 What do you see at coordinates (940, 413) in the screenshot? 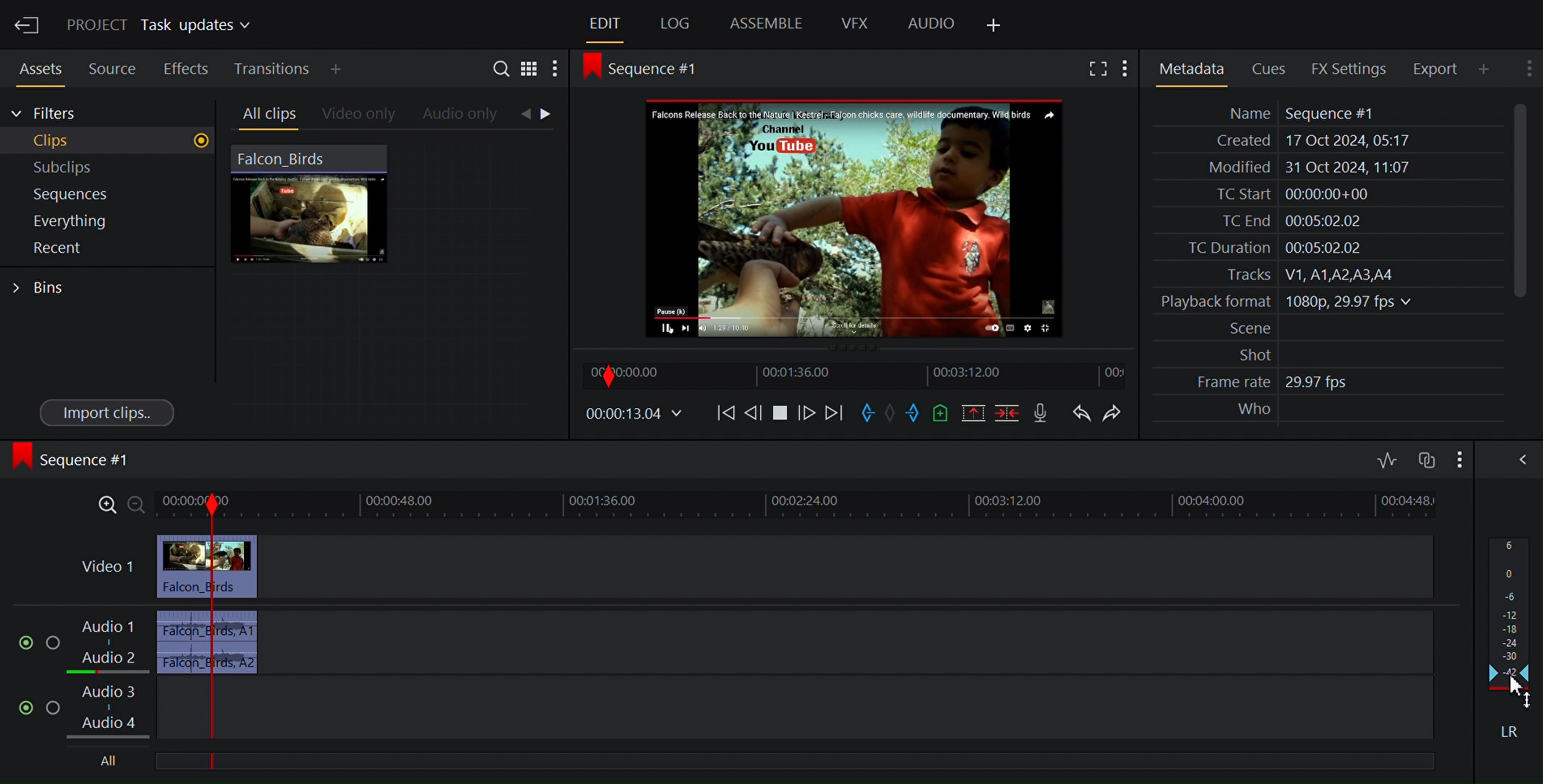
I see `Add cue` at bounding box center [940, 413].